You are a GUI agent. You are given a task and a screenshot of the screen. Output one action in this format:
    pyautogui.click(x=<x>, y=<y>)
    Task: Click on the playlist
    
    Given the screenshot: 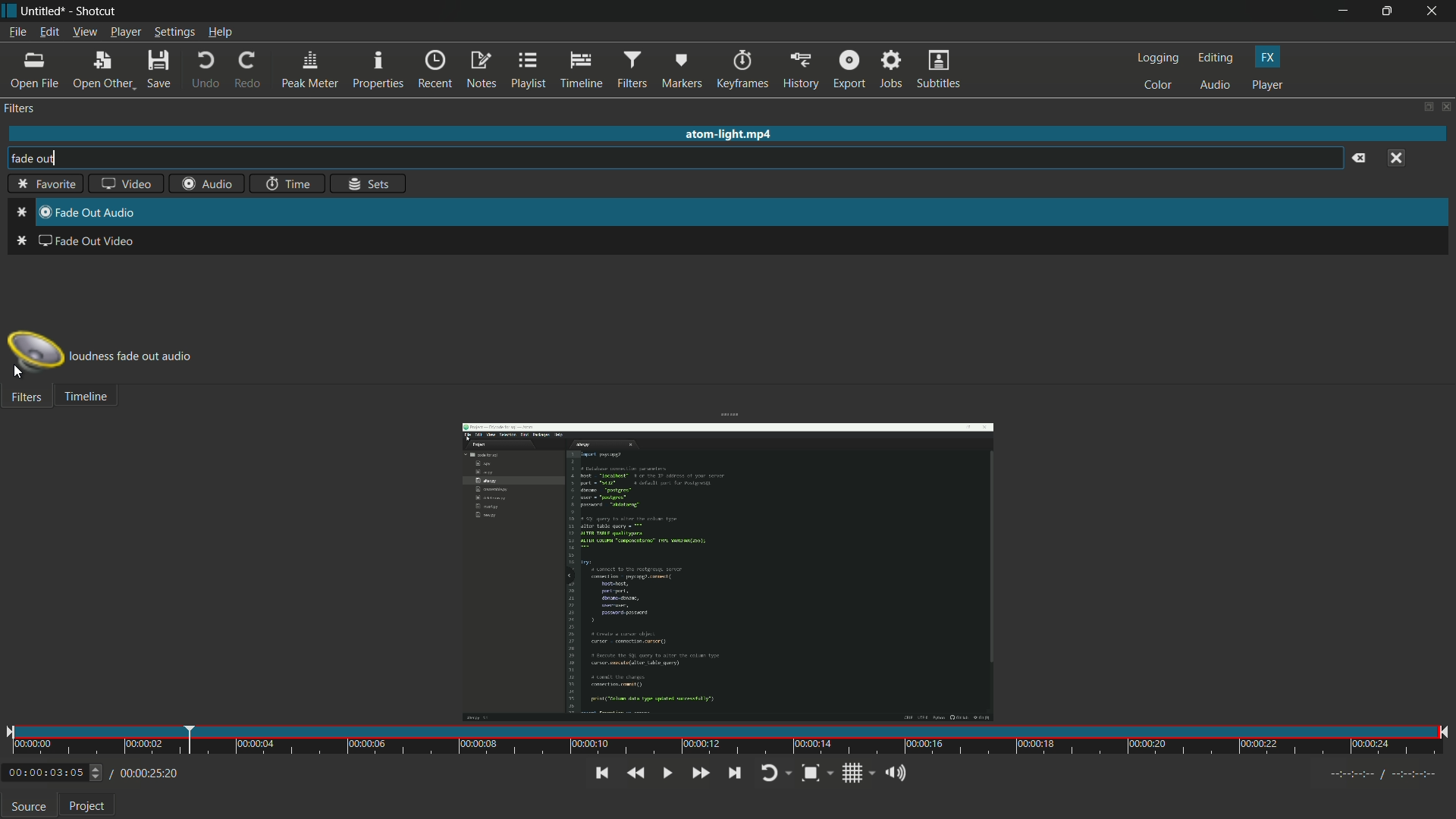 What is the action you would take?
    pyautogui.click(x=531, y=71)
    